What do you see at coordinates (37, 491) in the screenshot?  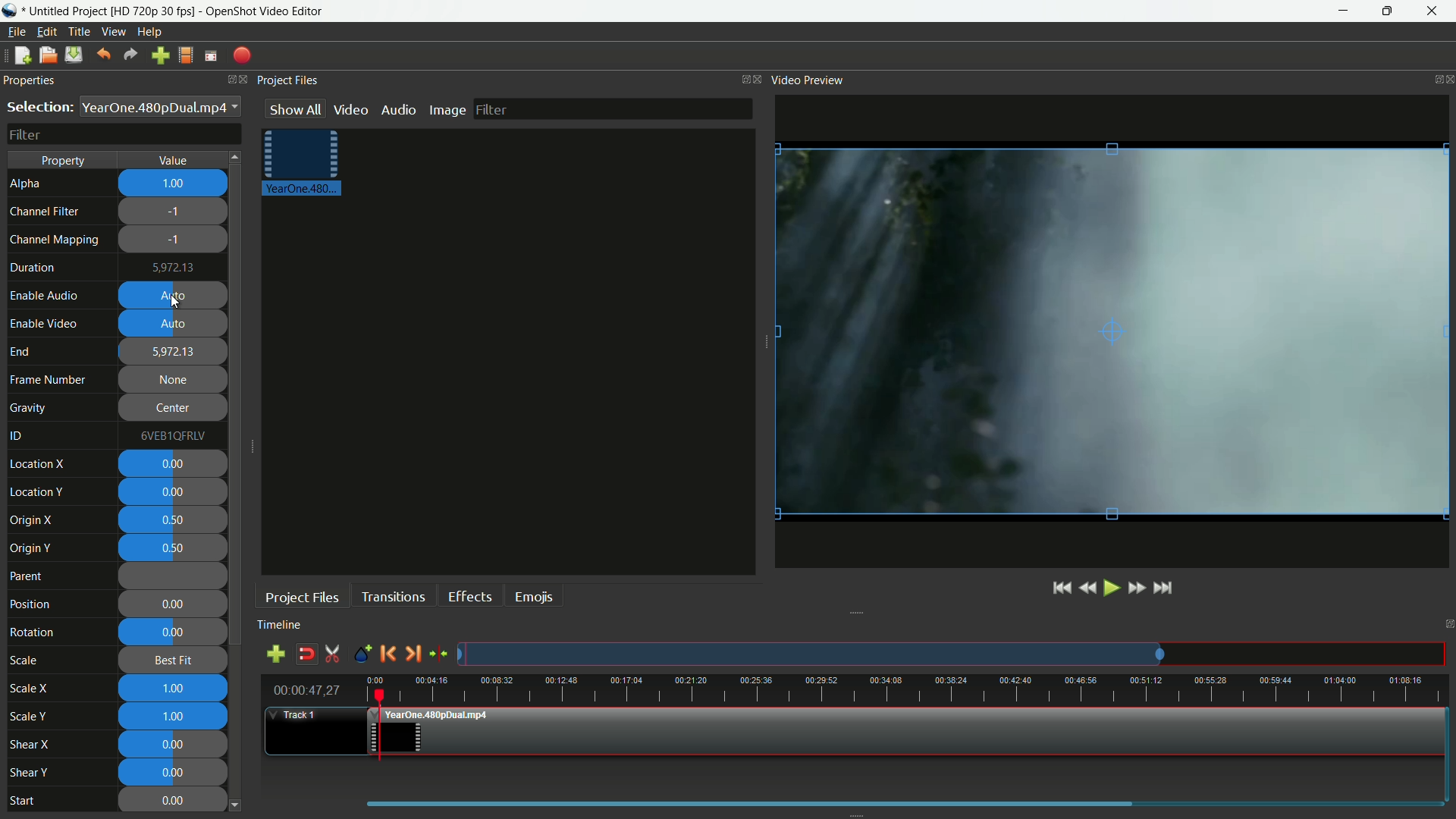 I see `location y` at bounding box center [37, 491].